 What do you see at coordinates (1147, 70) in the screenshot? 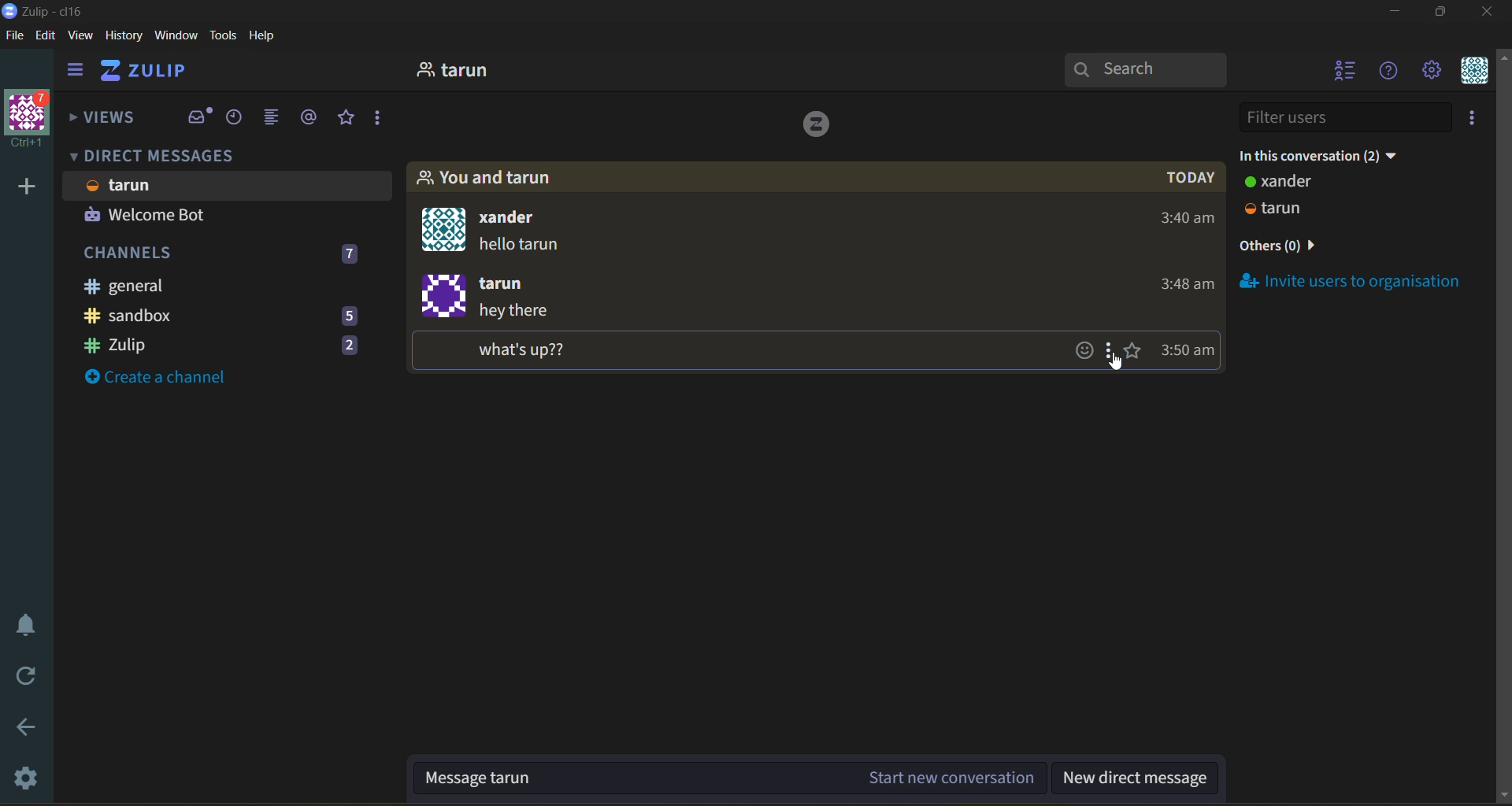
I see `search` at bounding box center [1147, 70].